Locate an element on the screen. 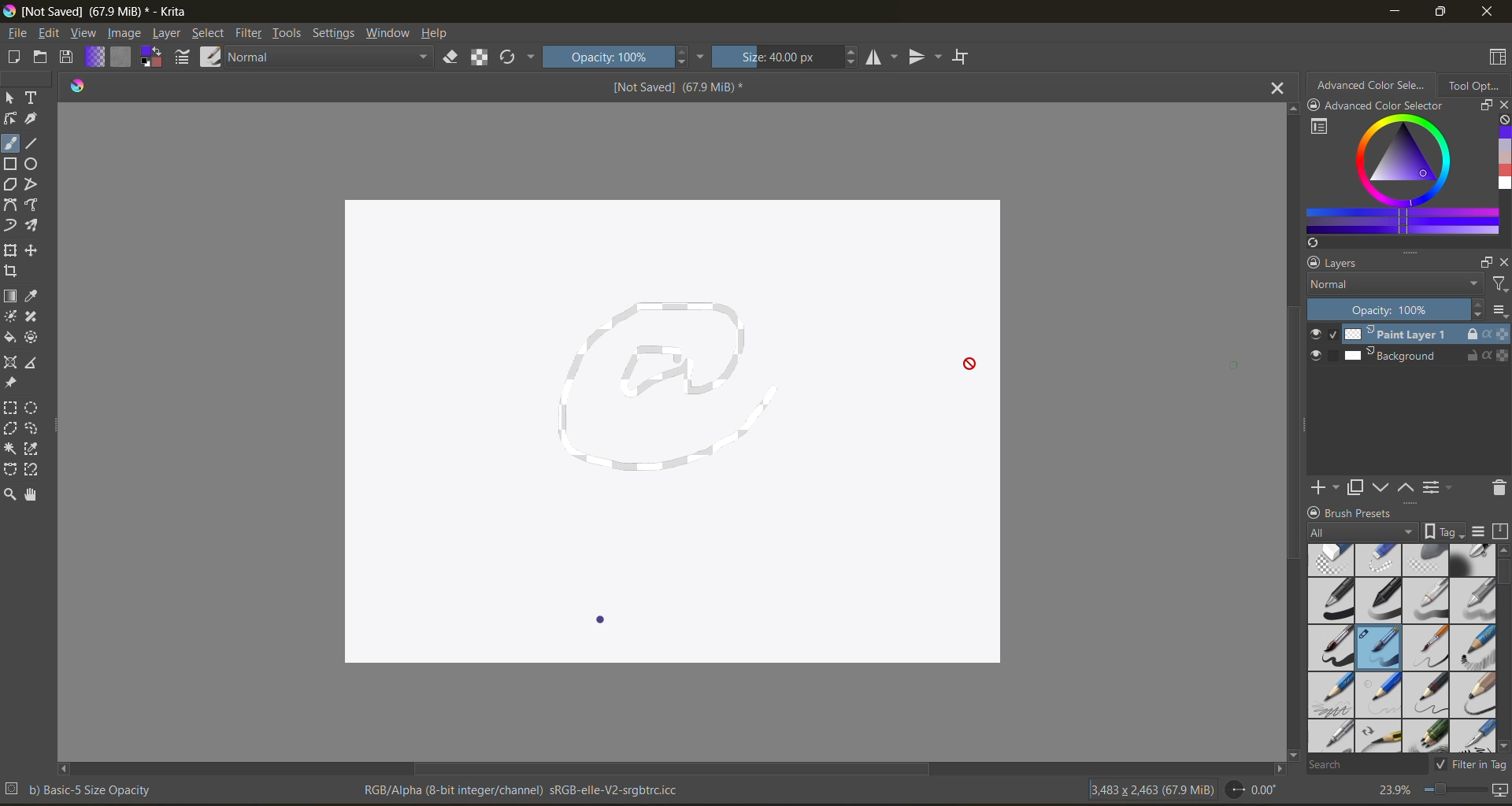 The width and height of the screenshot is (1512, 806). canvas is located at coordinates (673, 432).